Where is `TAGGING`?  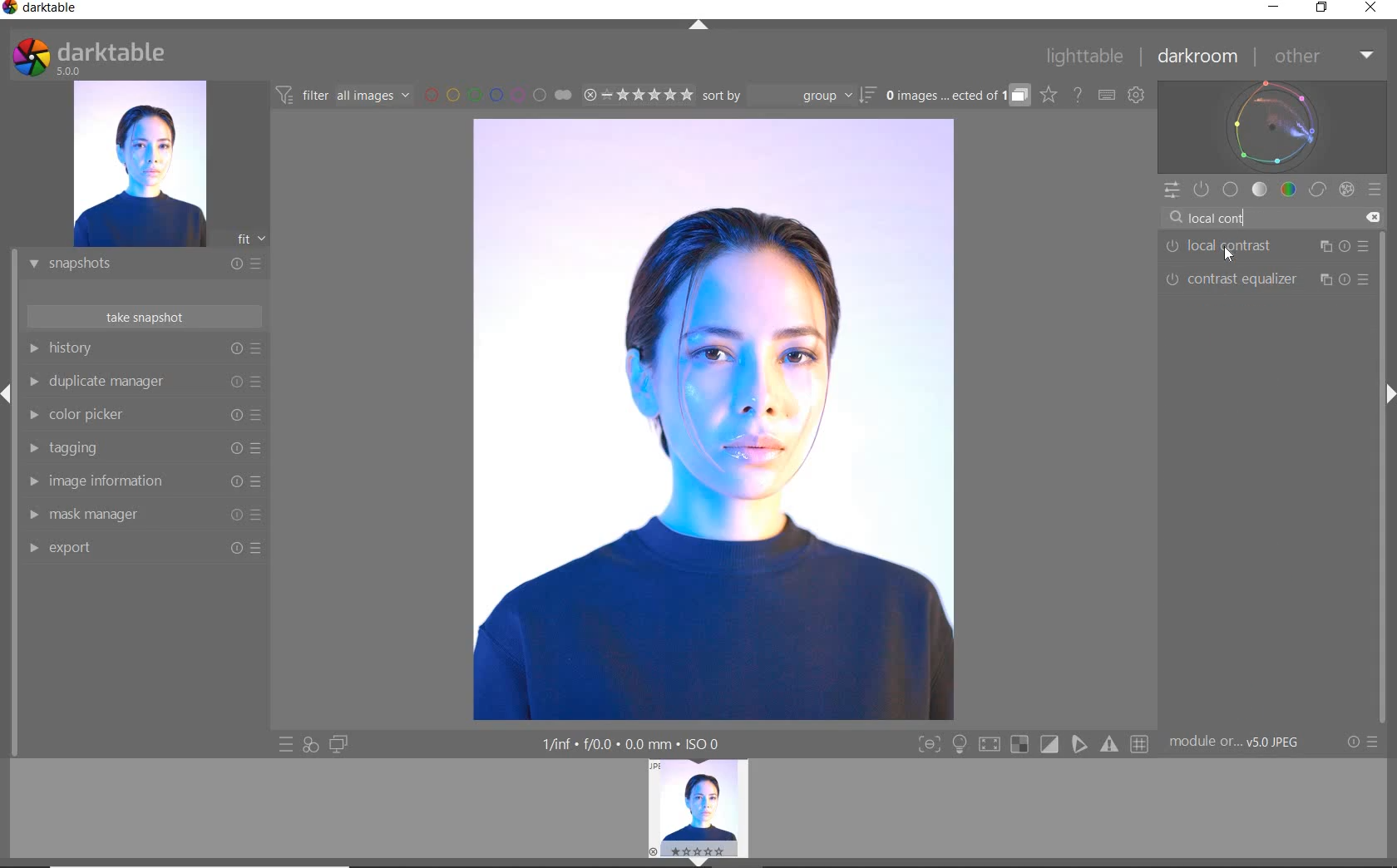 TAGGING is located at coordinates (141, 449).